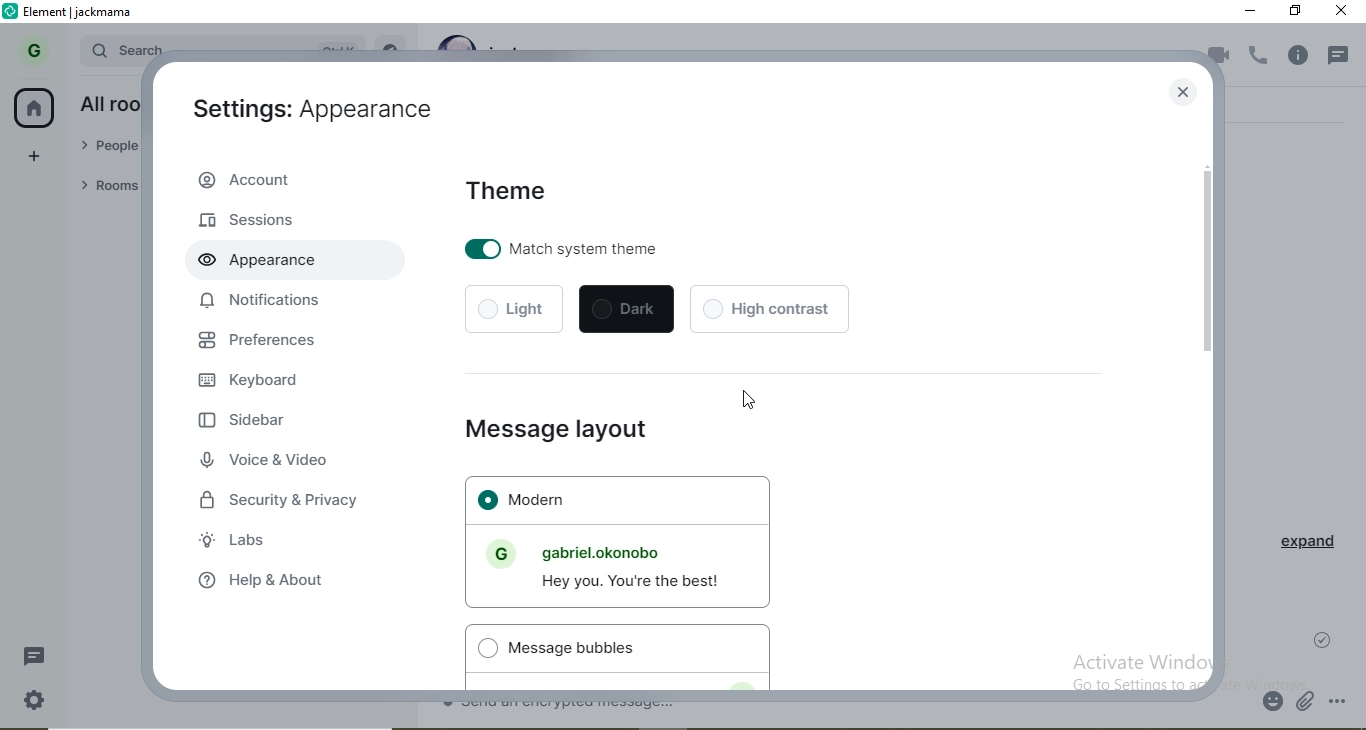  What do you see at coordinates (547, 430) in the screenshot?
I see `message layout` at bounding box center [547, 430].